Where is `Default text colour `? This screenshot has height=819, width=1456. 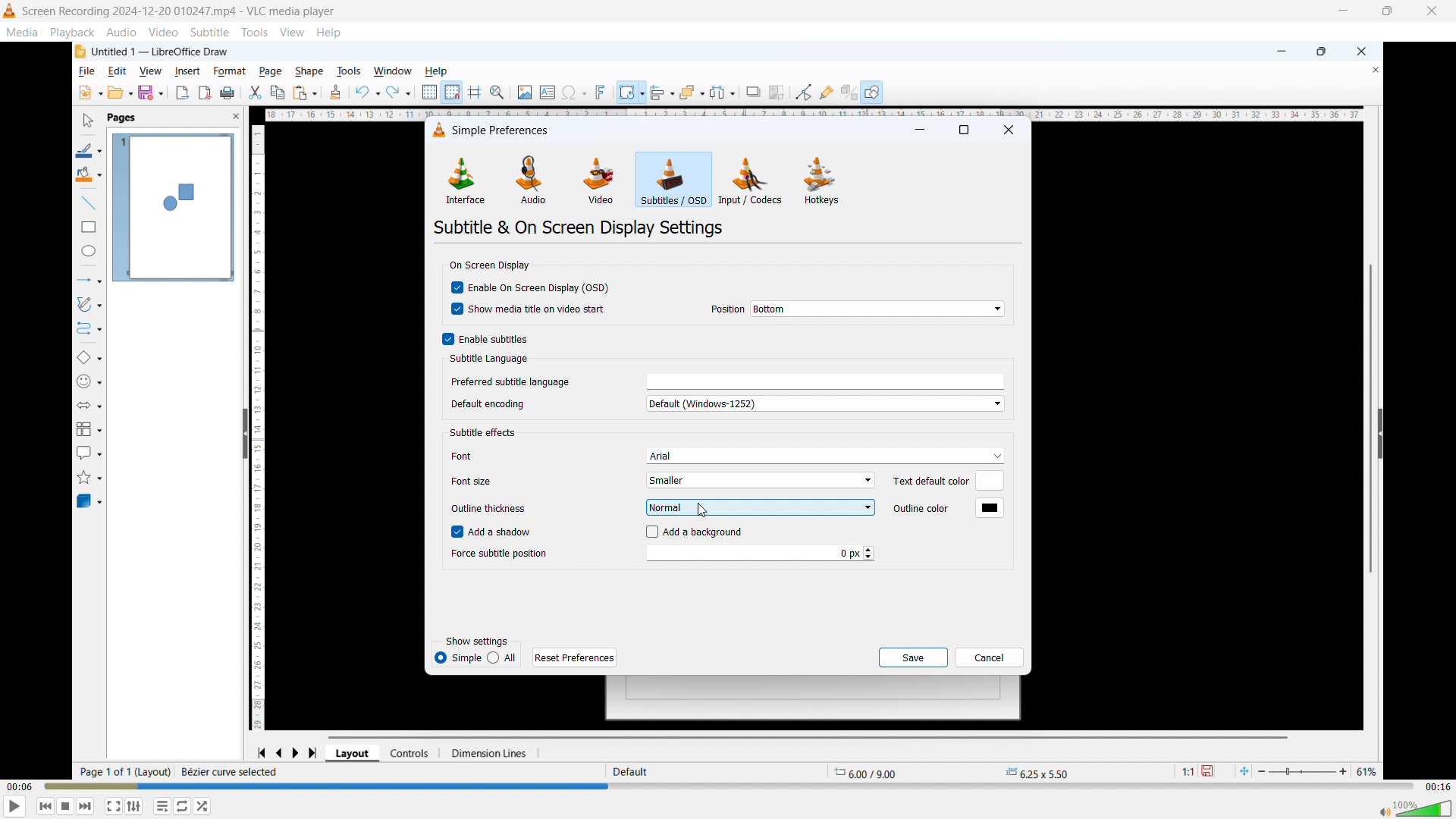
Default text colour  is located at coordinates (990, 481).